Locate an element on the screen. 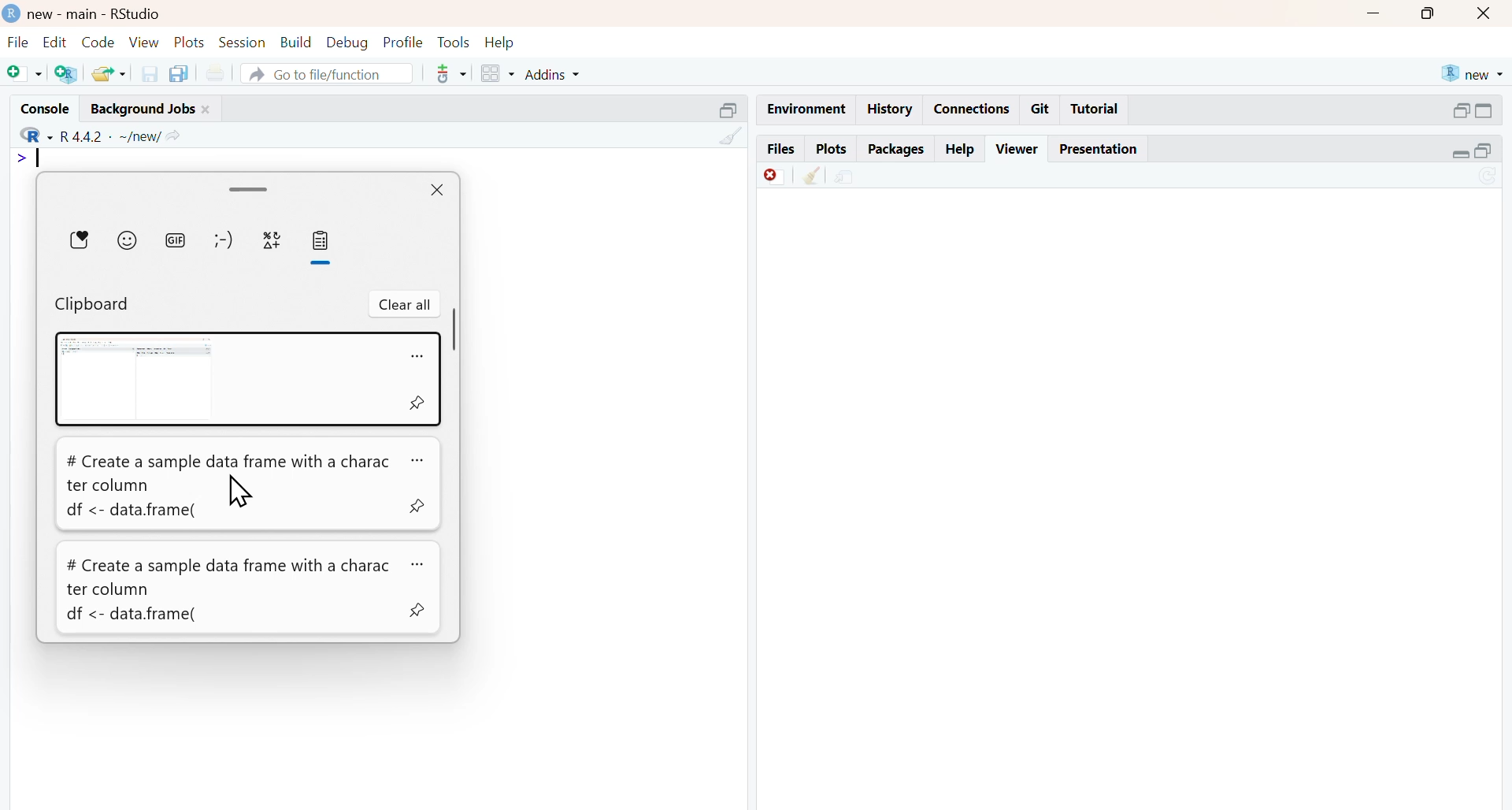 The width and height of the screenshot is (1512, 810). print is located at coordinates (216, 75).